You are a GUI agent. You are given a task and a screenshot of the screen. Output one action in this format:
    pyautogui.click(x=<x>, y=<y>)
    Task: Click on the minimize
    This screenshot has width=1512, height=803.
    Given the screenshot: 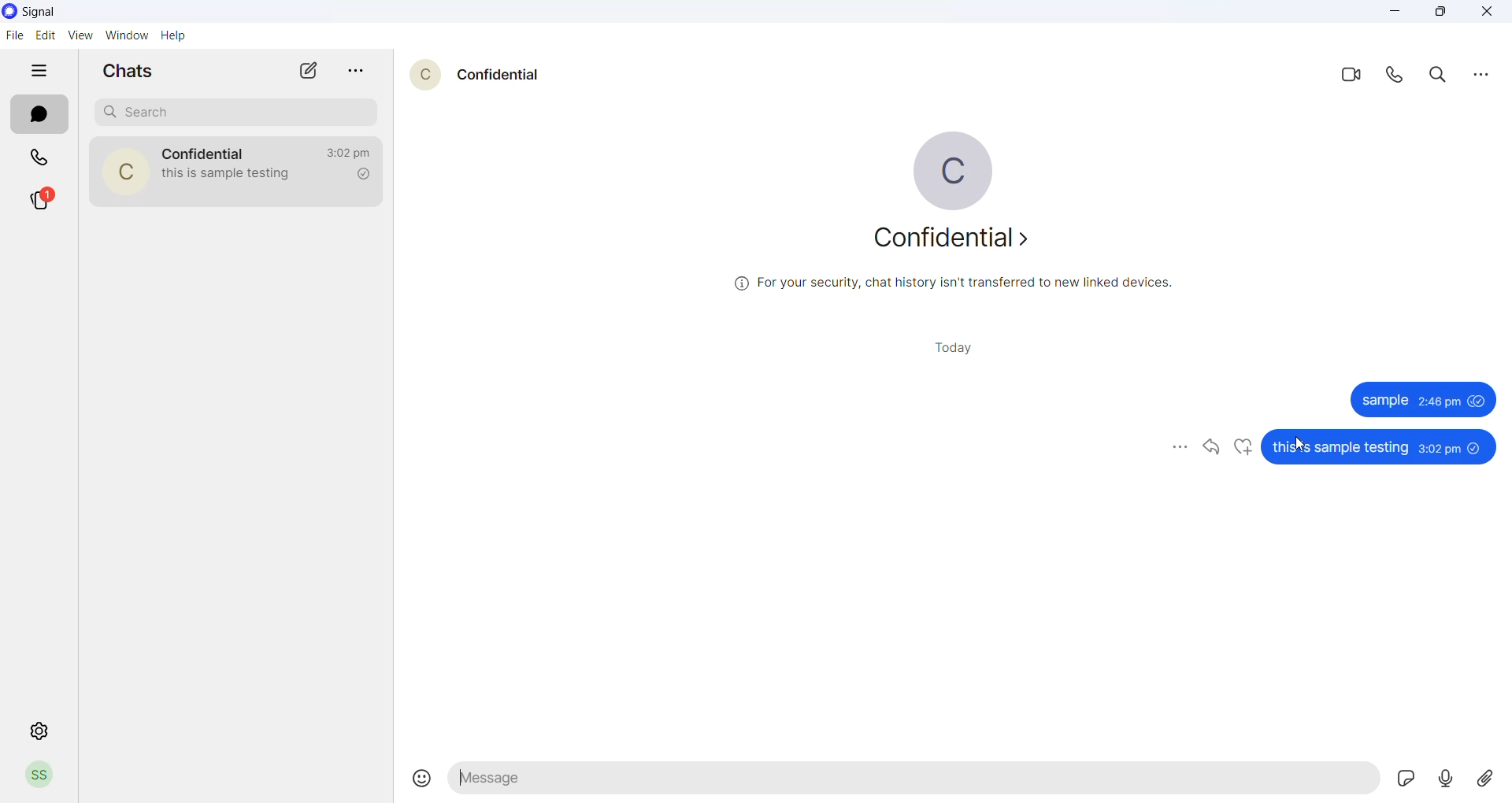 What is the action you would take?
    pyautogui.click(x=1395, y=13)
    